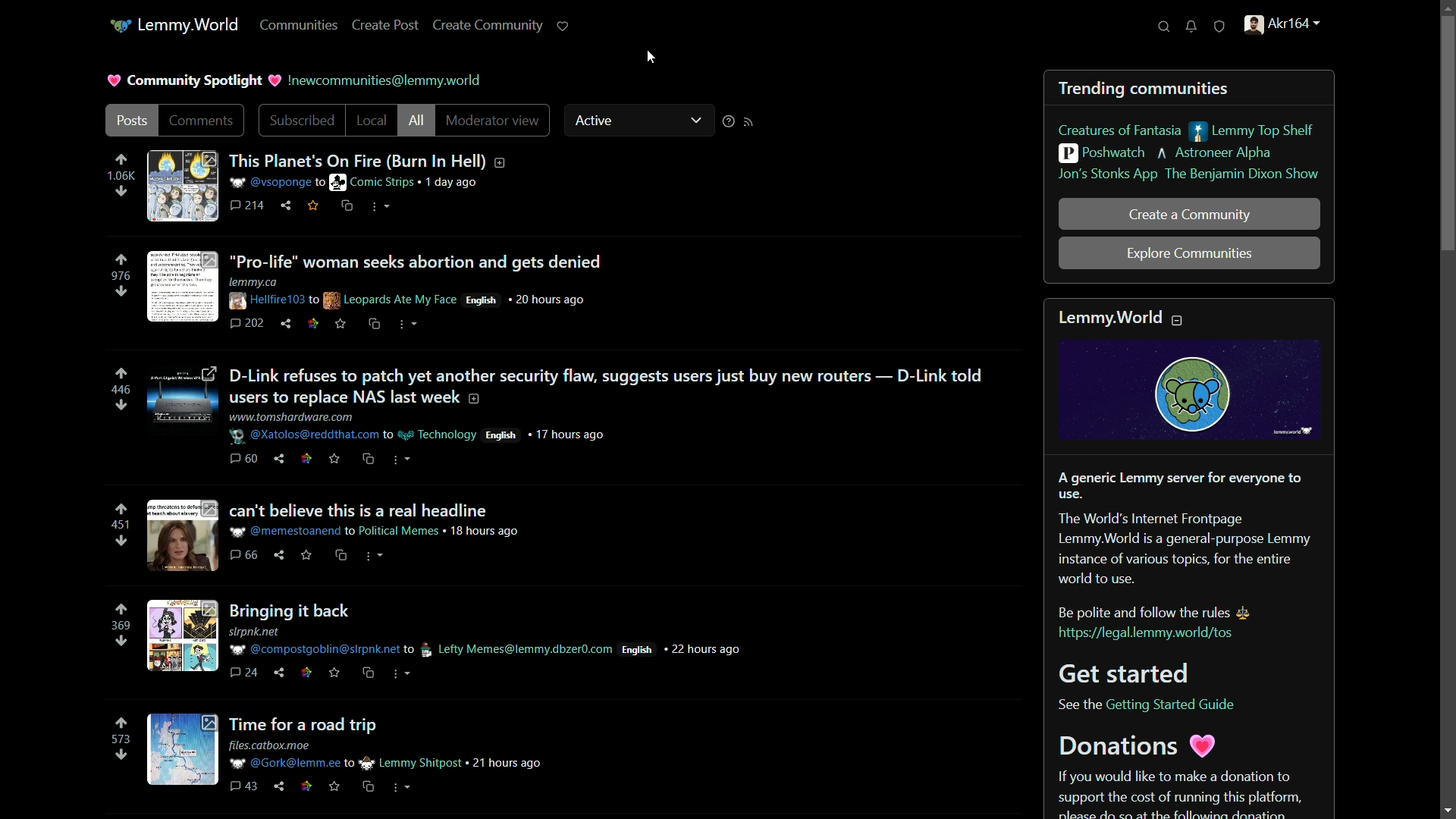 The width and height of the screenshot is (1456, 819). I want to click on upvote, so click(121, 610).